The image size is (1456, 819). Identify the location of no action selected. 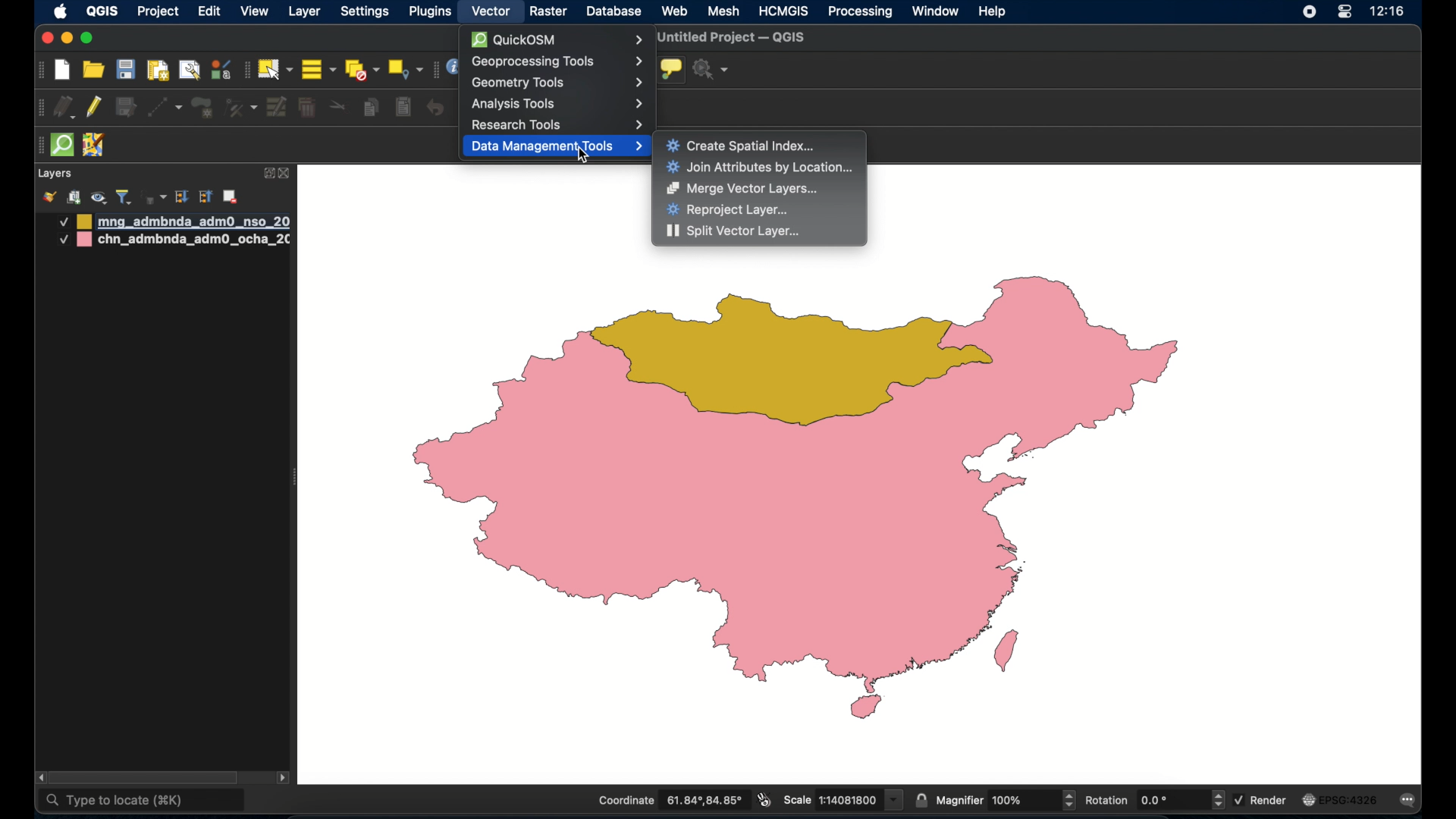
(711, 70).